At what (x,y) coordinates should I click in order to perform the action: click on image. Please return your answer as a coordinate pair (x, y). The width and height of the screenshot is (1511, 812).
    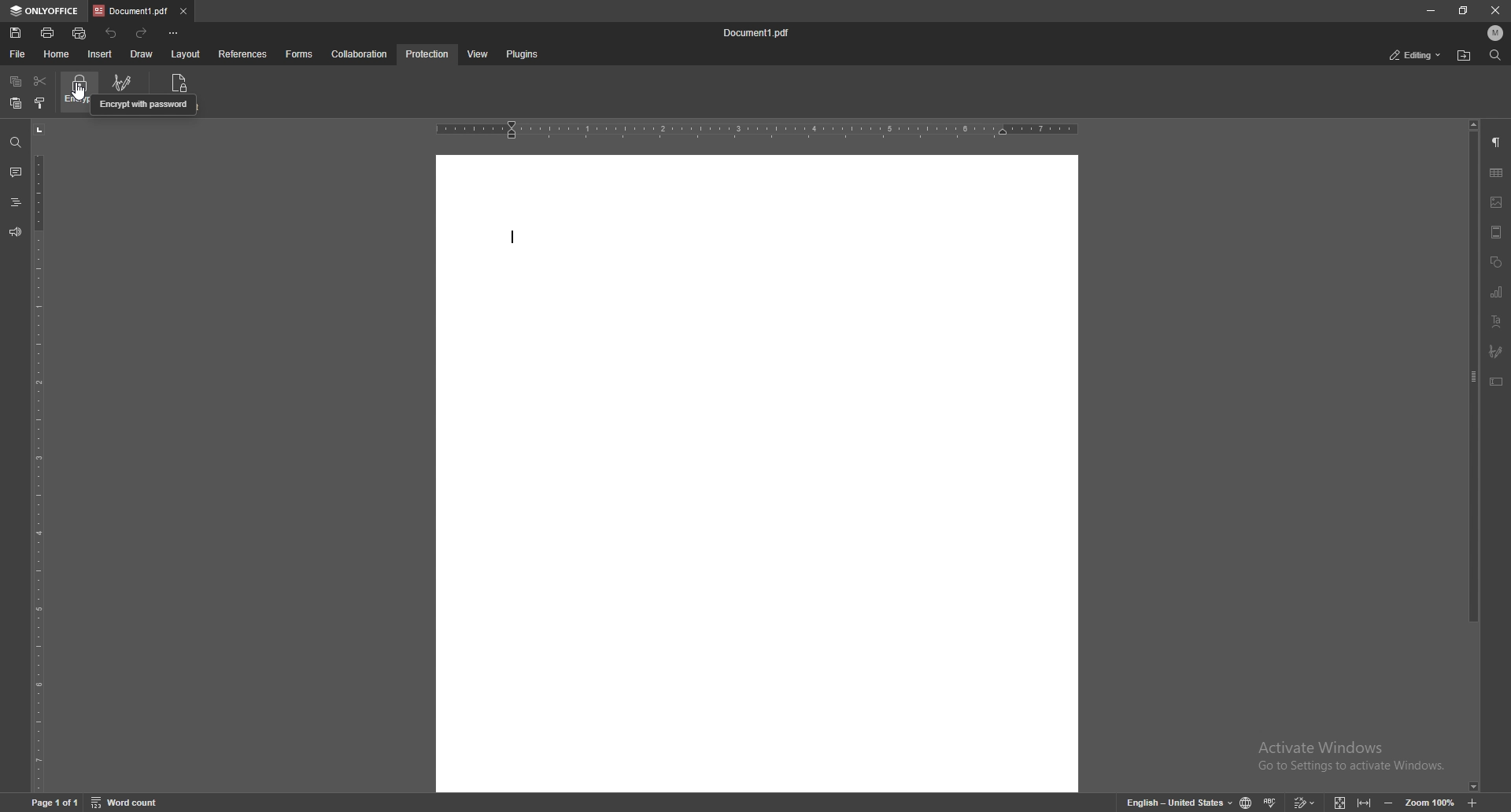
    Looking at the image, I should click on (1497, 202).